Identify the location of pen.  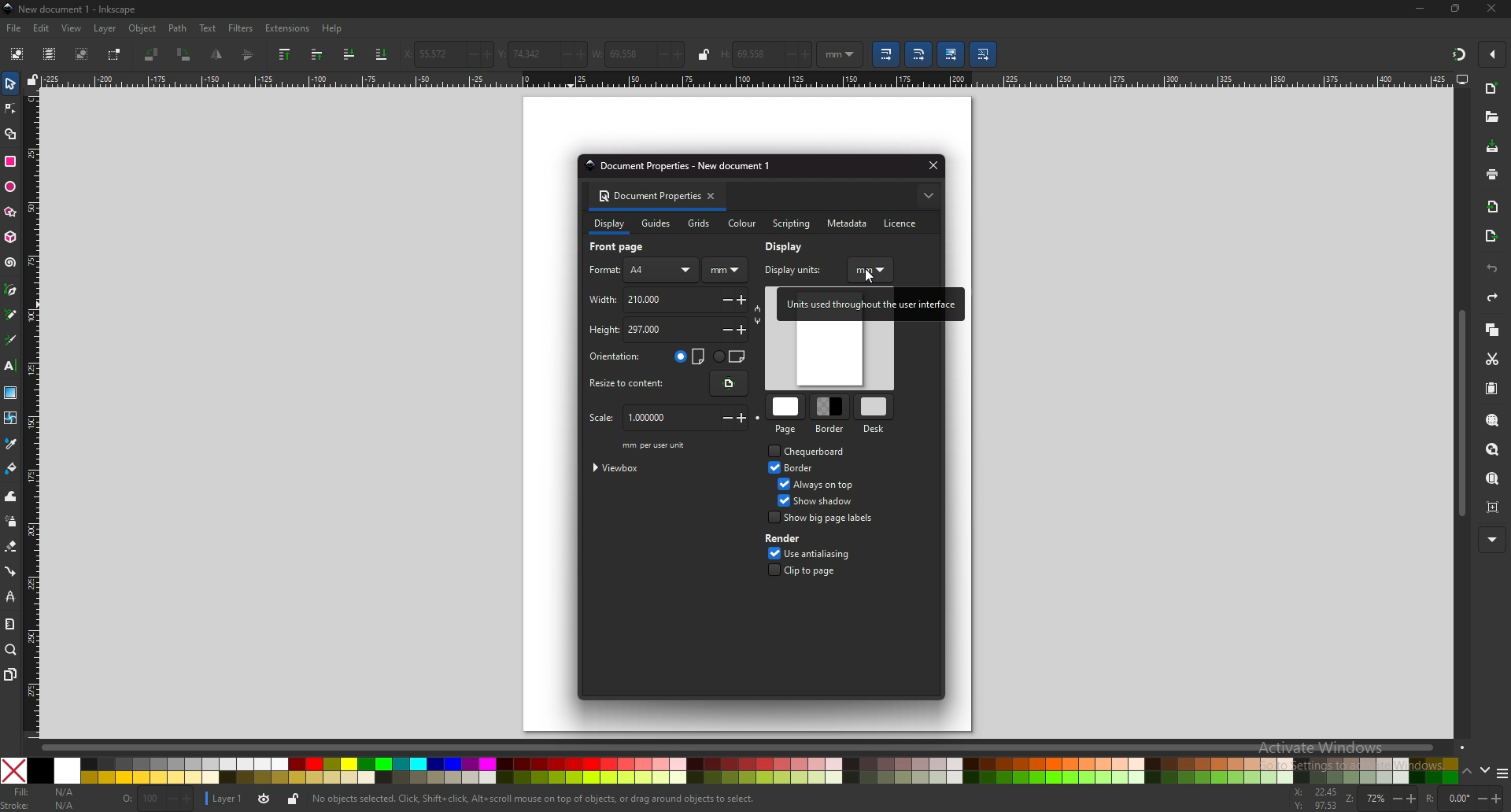
(11, 290).